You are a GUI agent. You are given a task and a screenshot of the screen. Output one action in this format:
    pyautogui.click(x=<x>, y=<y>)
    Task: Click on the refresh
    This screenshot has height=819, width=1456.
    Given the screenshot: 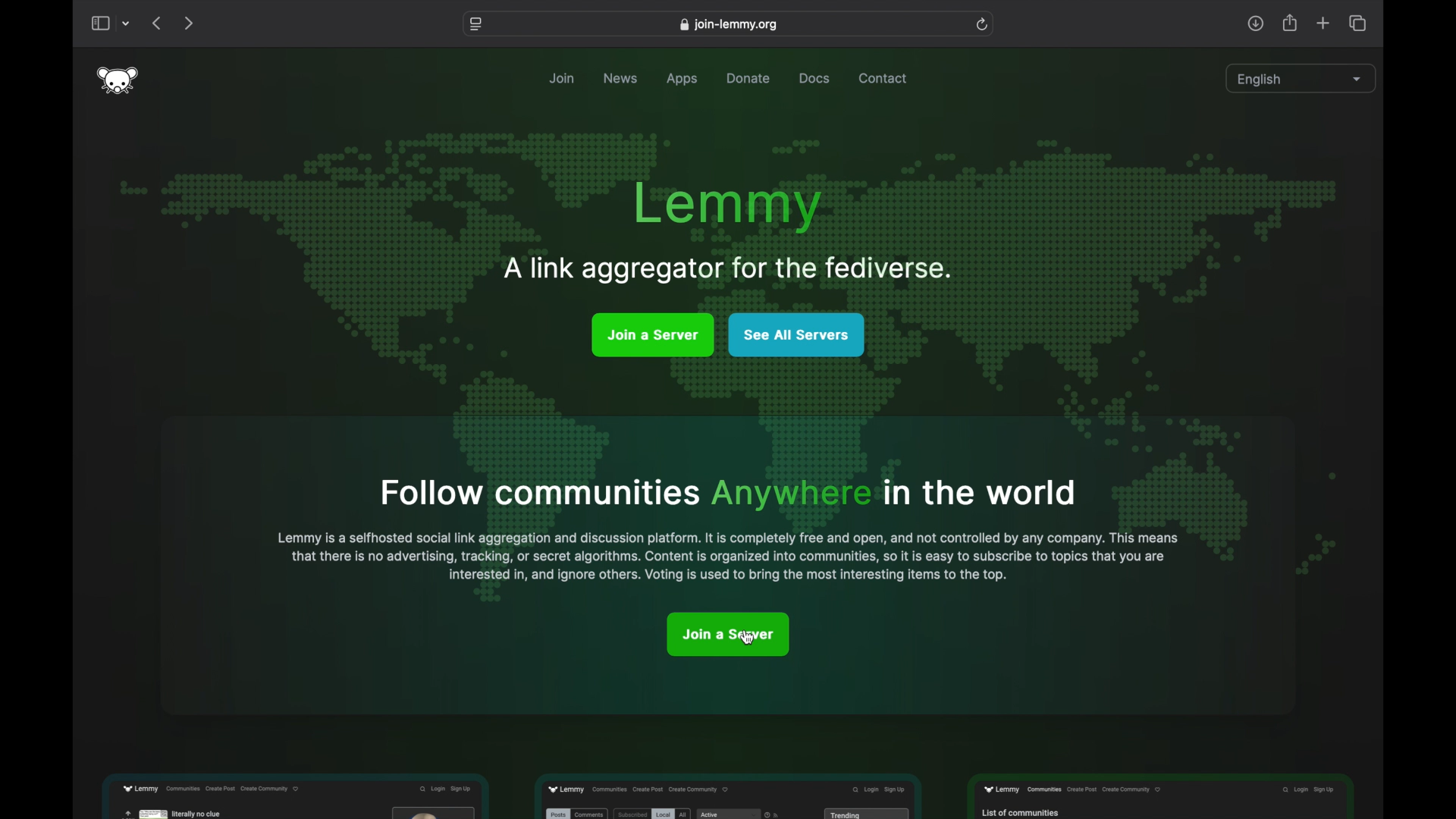 What is the action you would take?
    pyautogui.click(x=982, y=24)
    